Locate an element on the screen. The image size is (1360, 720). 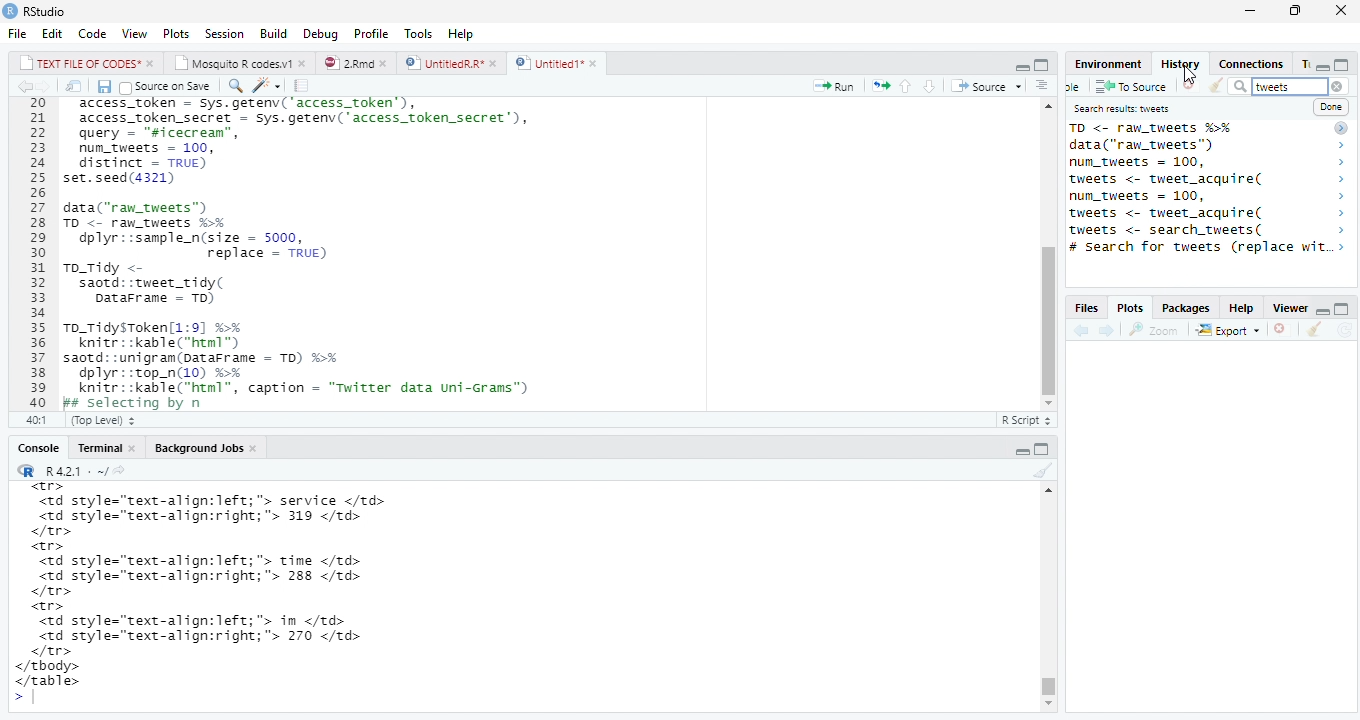
maximize is located at coordinates (1301, 9).